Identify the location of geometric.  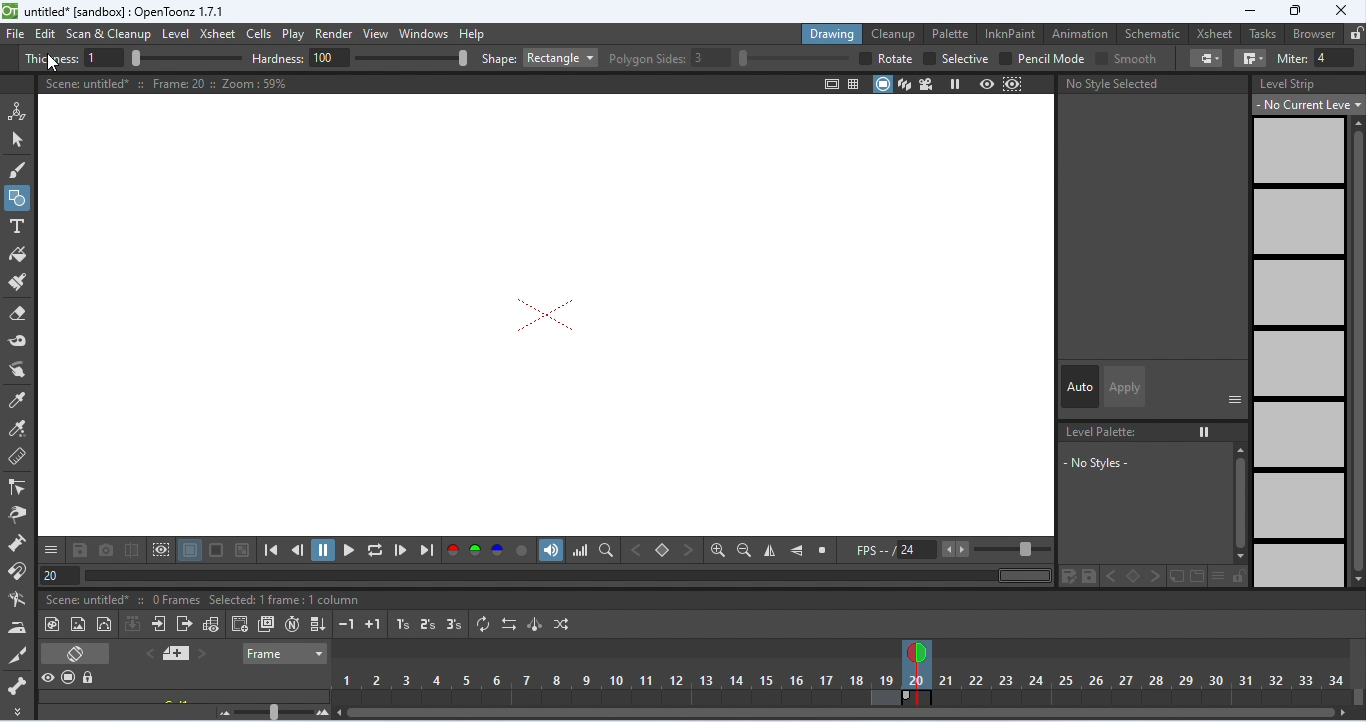
(18, 199).